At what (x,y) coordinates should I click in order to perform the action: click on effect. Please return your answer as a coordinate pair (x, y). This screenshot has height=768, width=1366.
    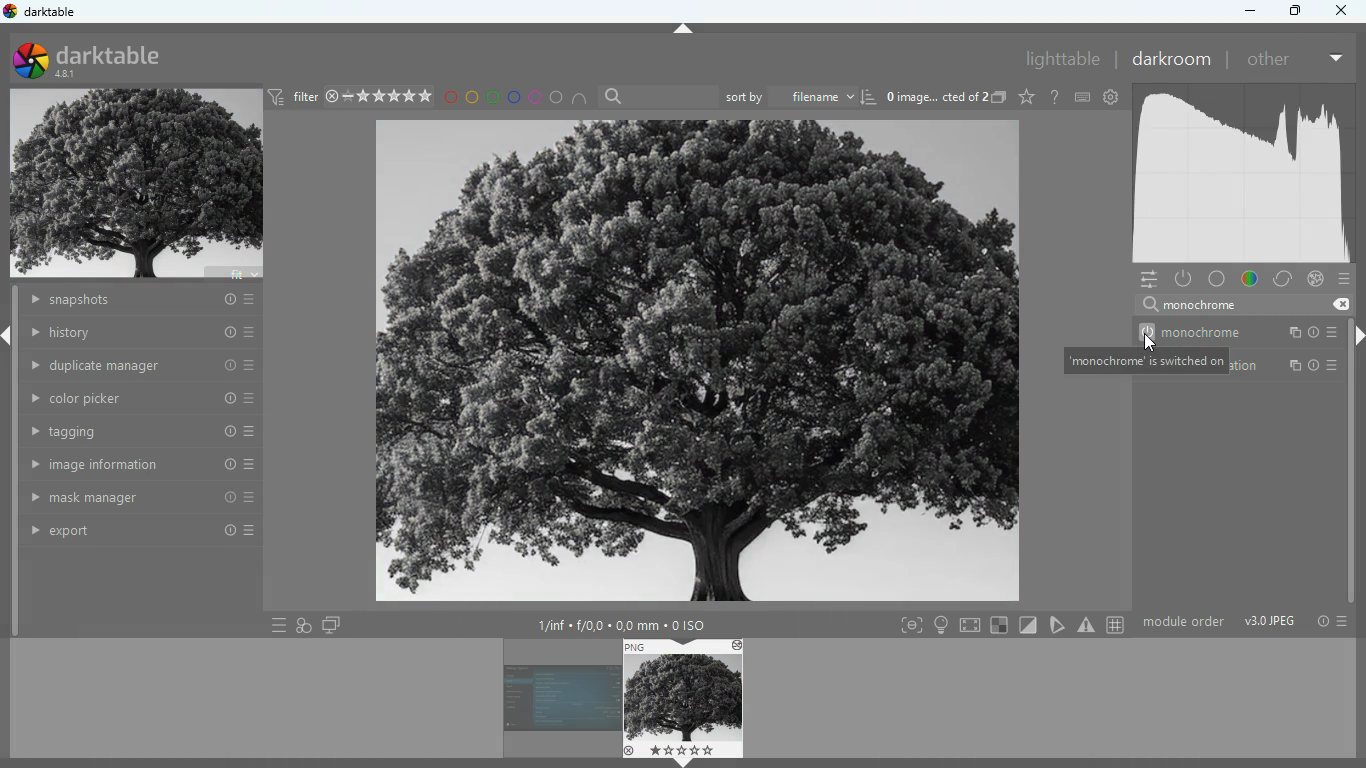
    Looking at the image, I should click on (1317, 278).